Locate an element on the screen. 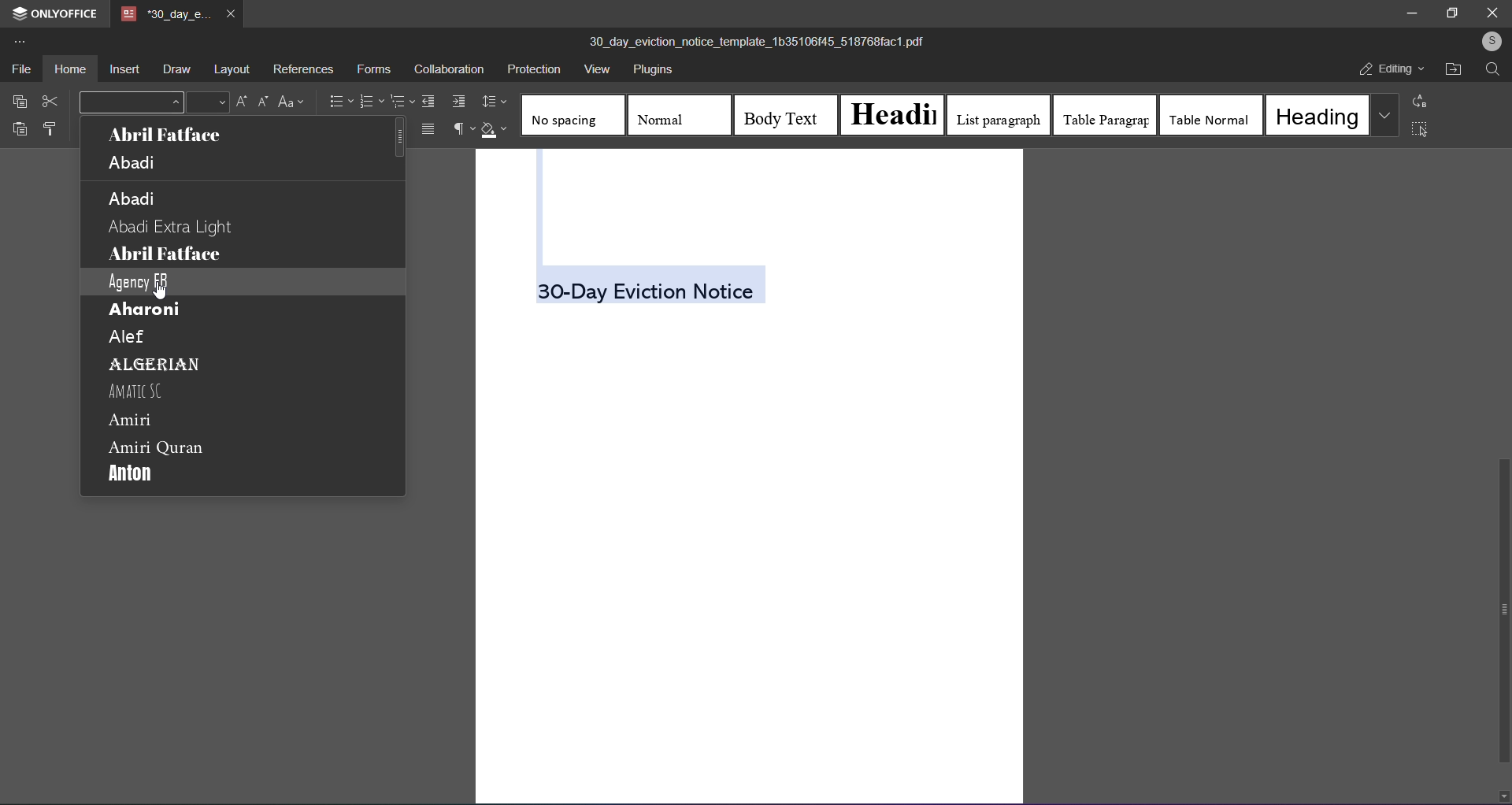 This screenshot has width=1512, height=805. close tab is located at coordinates (232, 16).